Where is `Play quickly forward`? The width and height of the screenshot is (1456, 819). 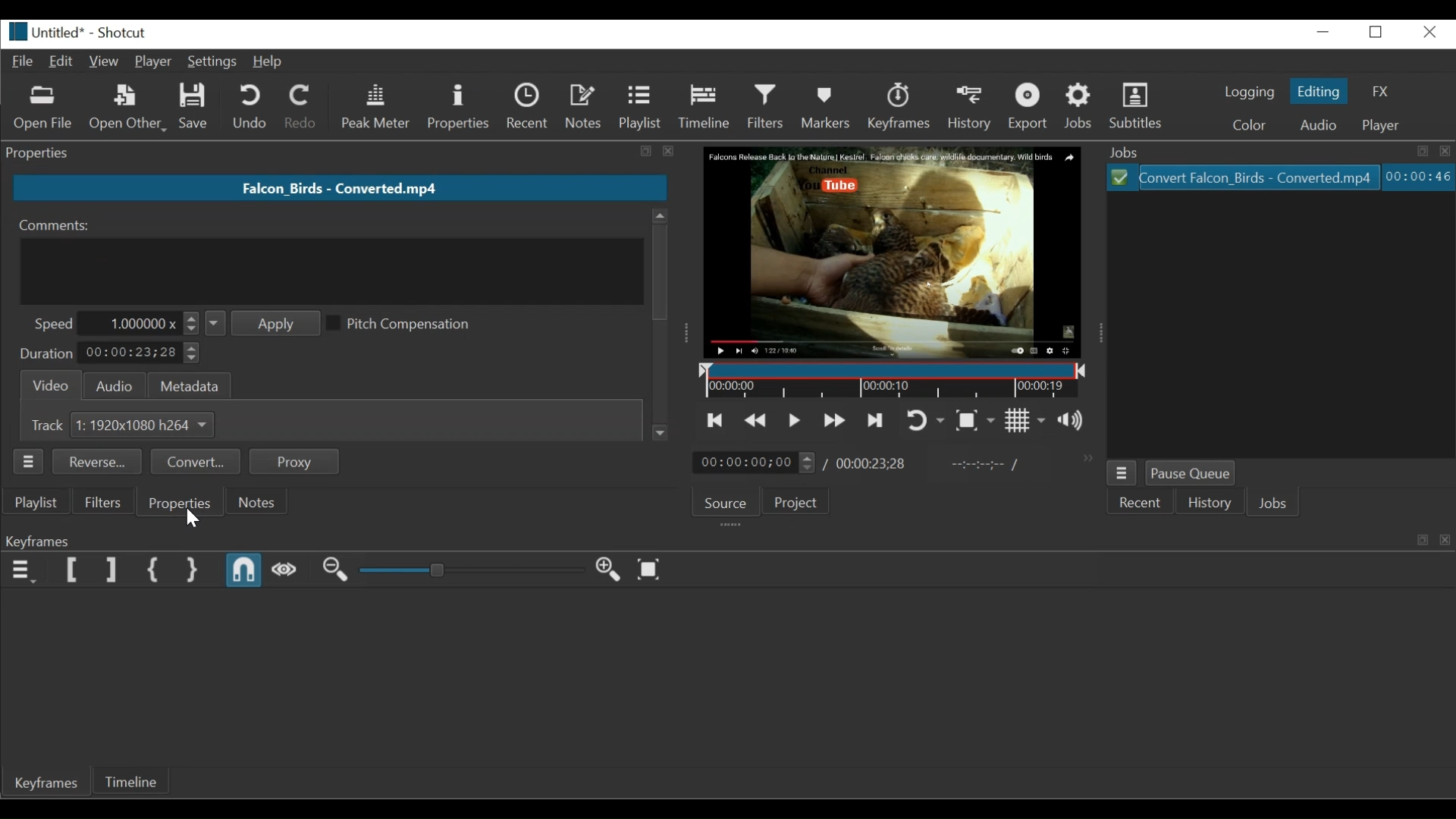
Play quickly forward is located at coordinates (834, 421).